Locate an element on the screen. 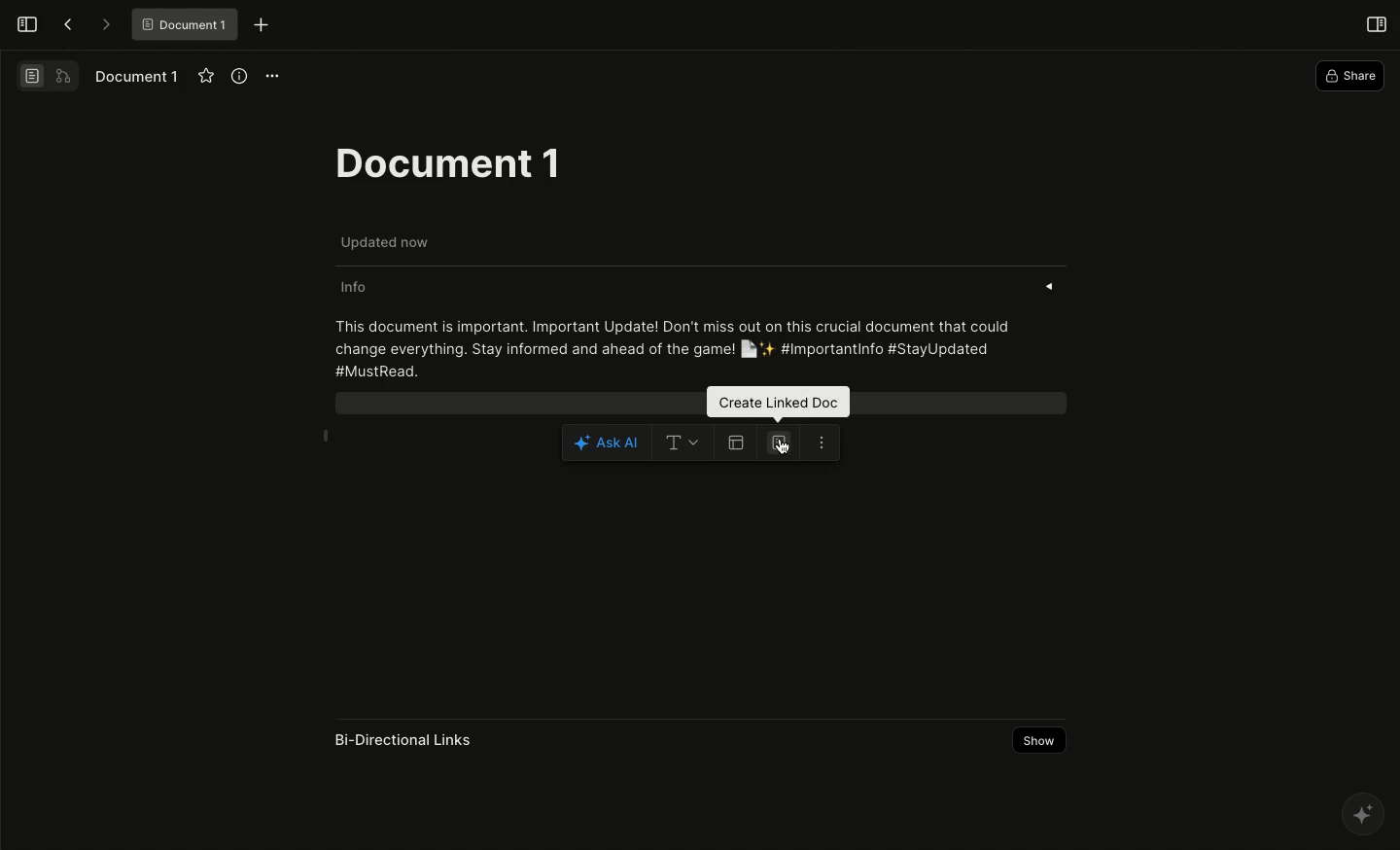 This screenshot has height=850, width=1400. Back is located at coordinates (62, 23).